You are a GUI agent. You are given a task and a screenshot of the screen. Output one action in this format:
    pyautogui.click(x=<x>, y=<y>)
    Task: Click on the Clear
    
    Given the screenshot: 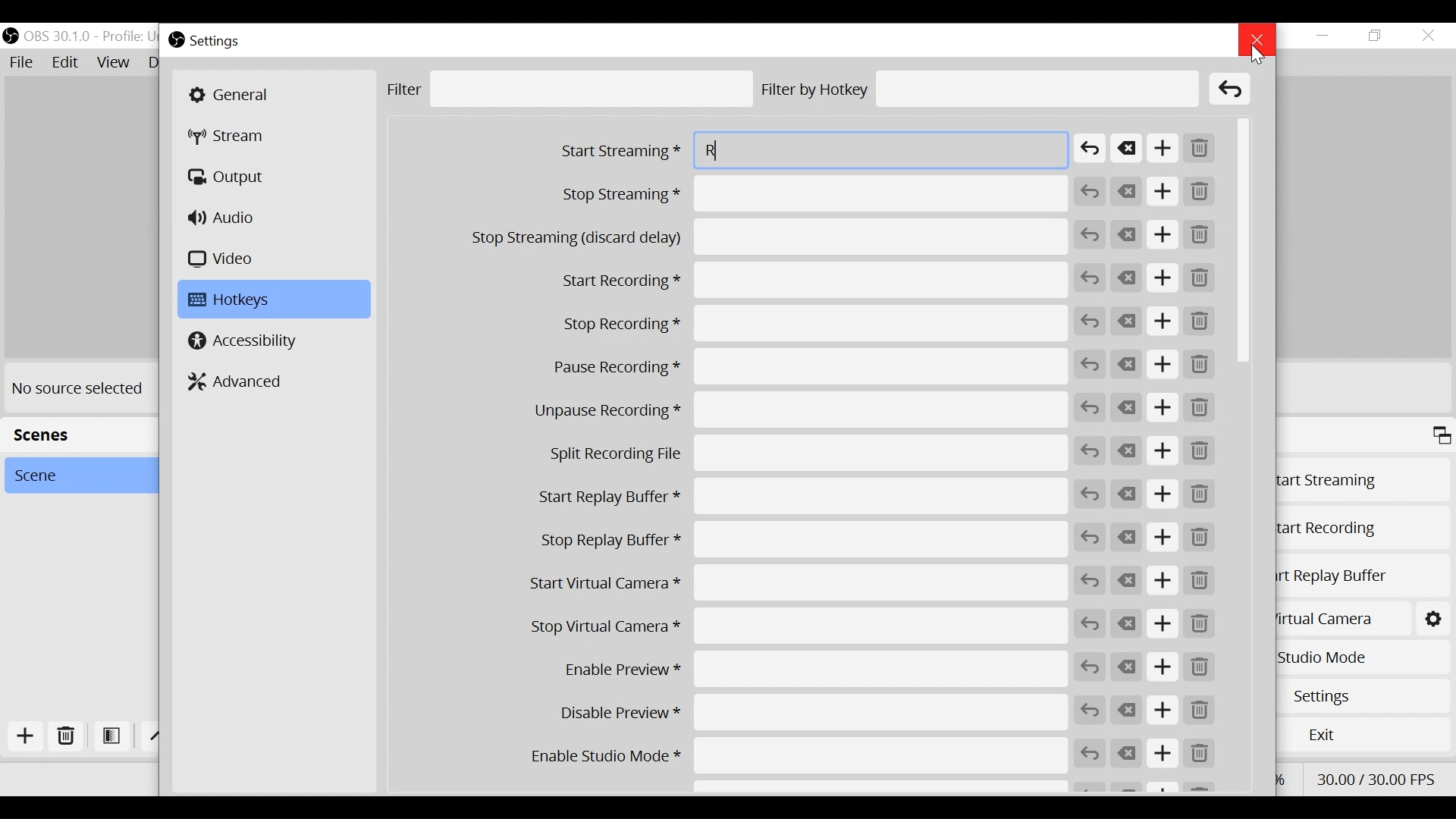 What is the action you would take?
    pyautogui.click(x=1125, y=449)
    